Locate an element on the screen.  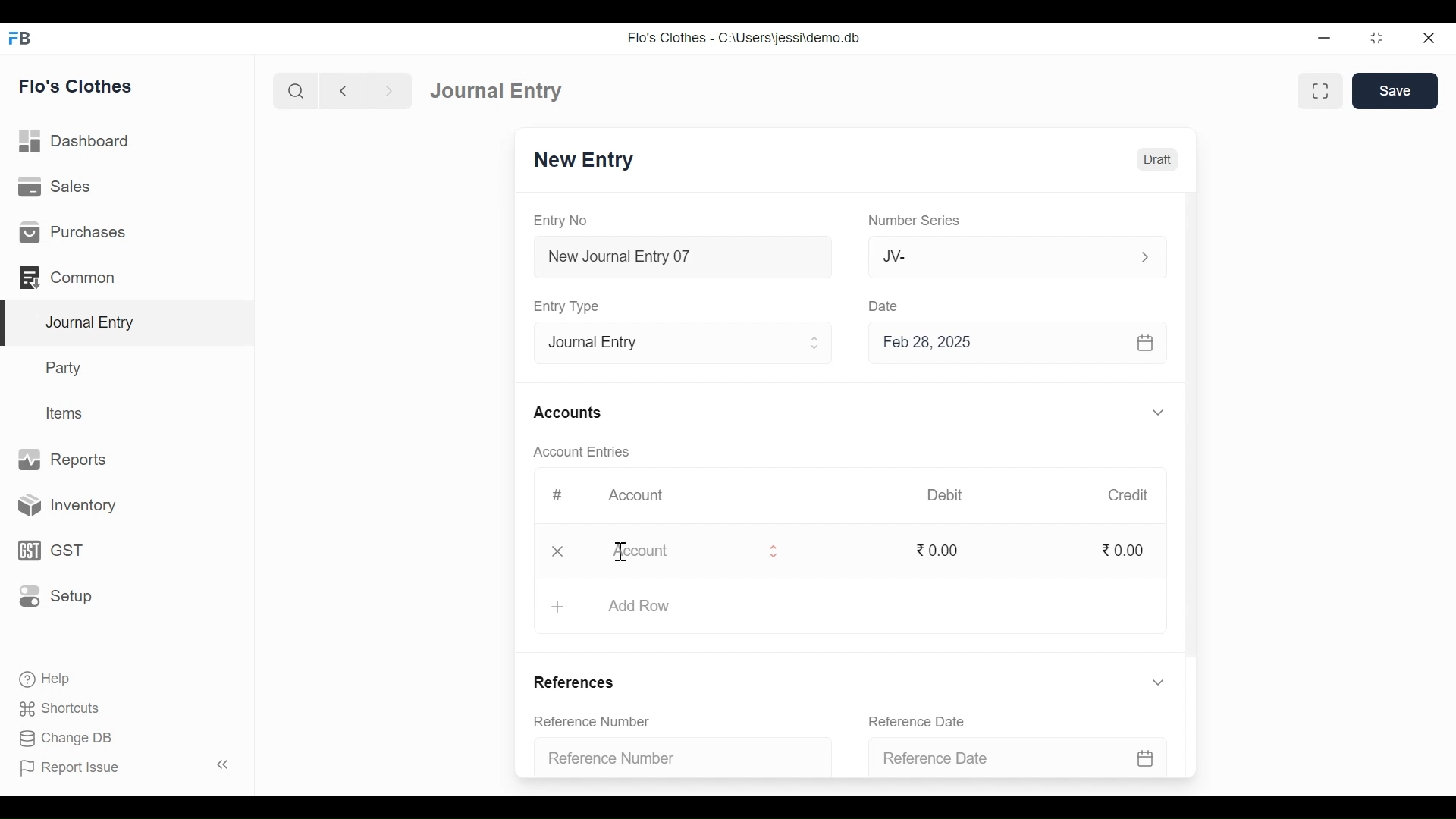
Close is located at coordinates (558, 553).